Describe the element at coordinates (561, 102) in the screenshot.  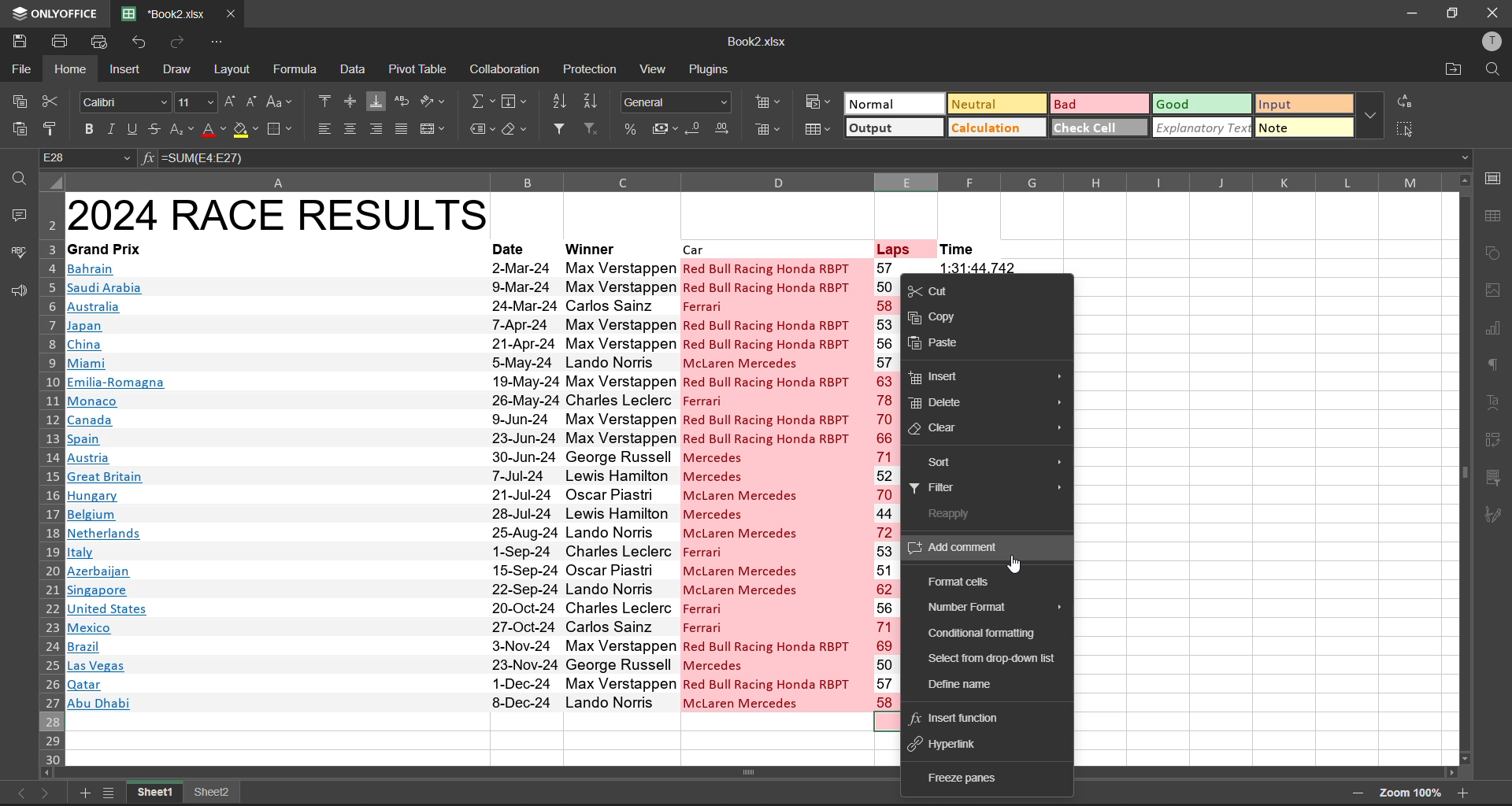
I see `sort ascending` at that location.